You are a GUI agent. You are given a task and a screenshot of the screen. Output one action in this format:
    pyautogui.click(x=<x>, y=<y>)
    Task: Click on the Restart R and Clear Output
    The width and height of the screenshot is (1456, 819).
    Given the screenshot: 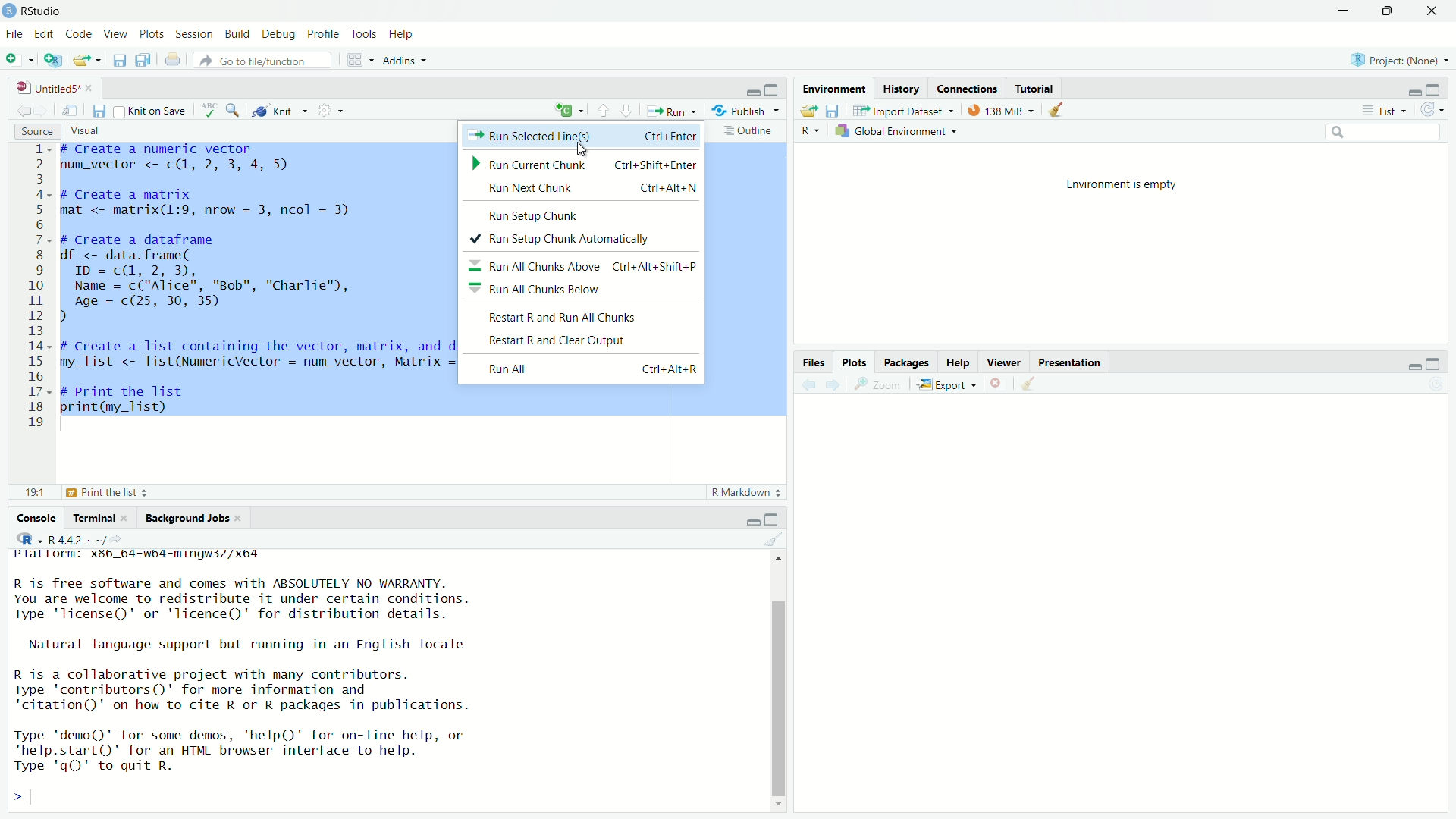 What is the action you would take?
    pyautogui.click(x=577, y=341)
    